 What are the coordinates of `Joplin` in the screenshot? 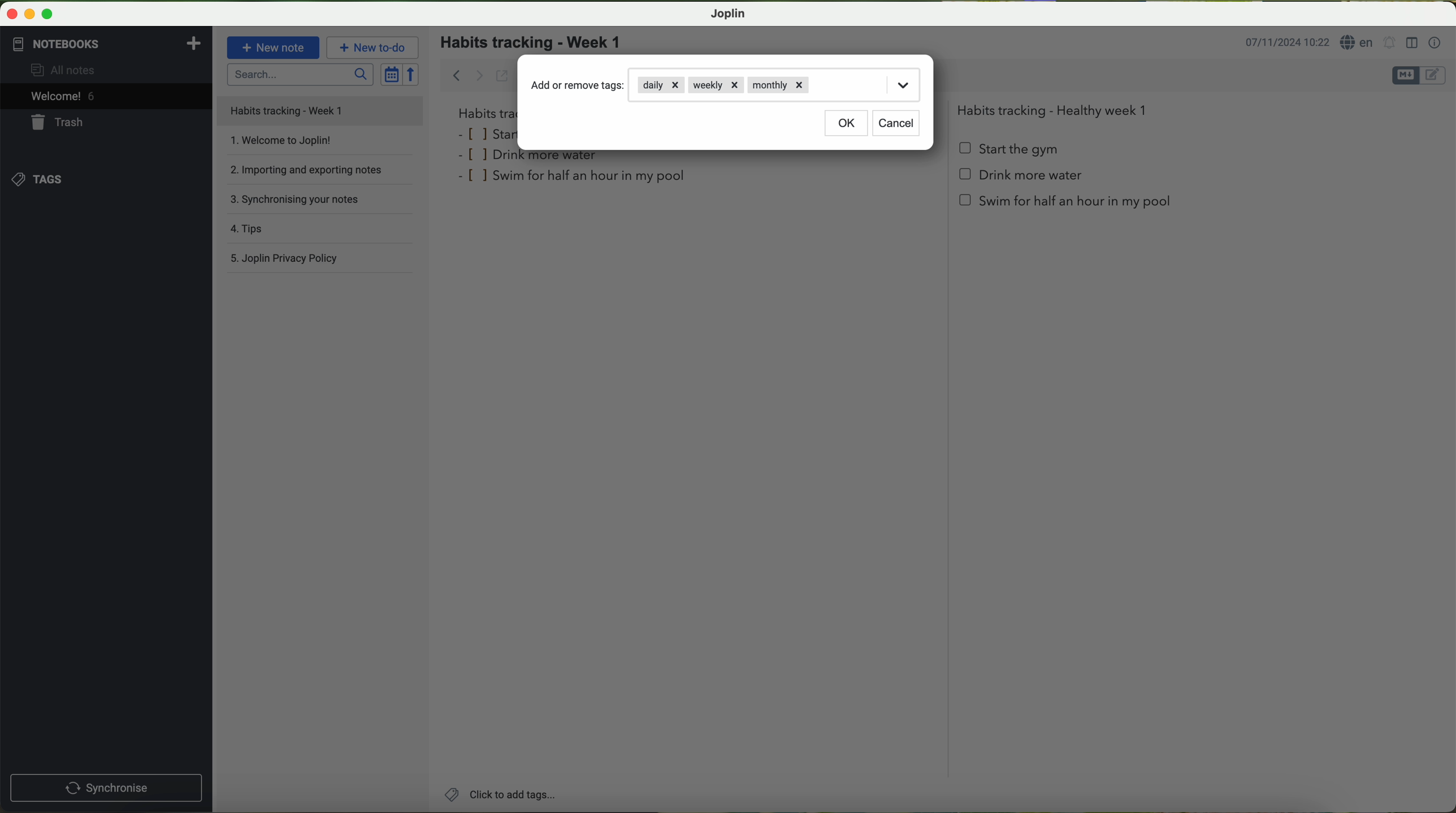 It's located at (727, 14).